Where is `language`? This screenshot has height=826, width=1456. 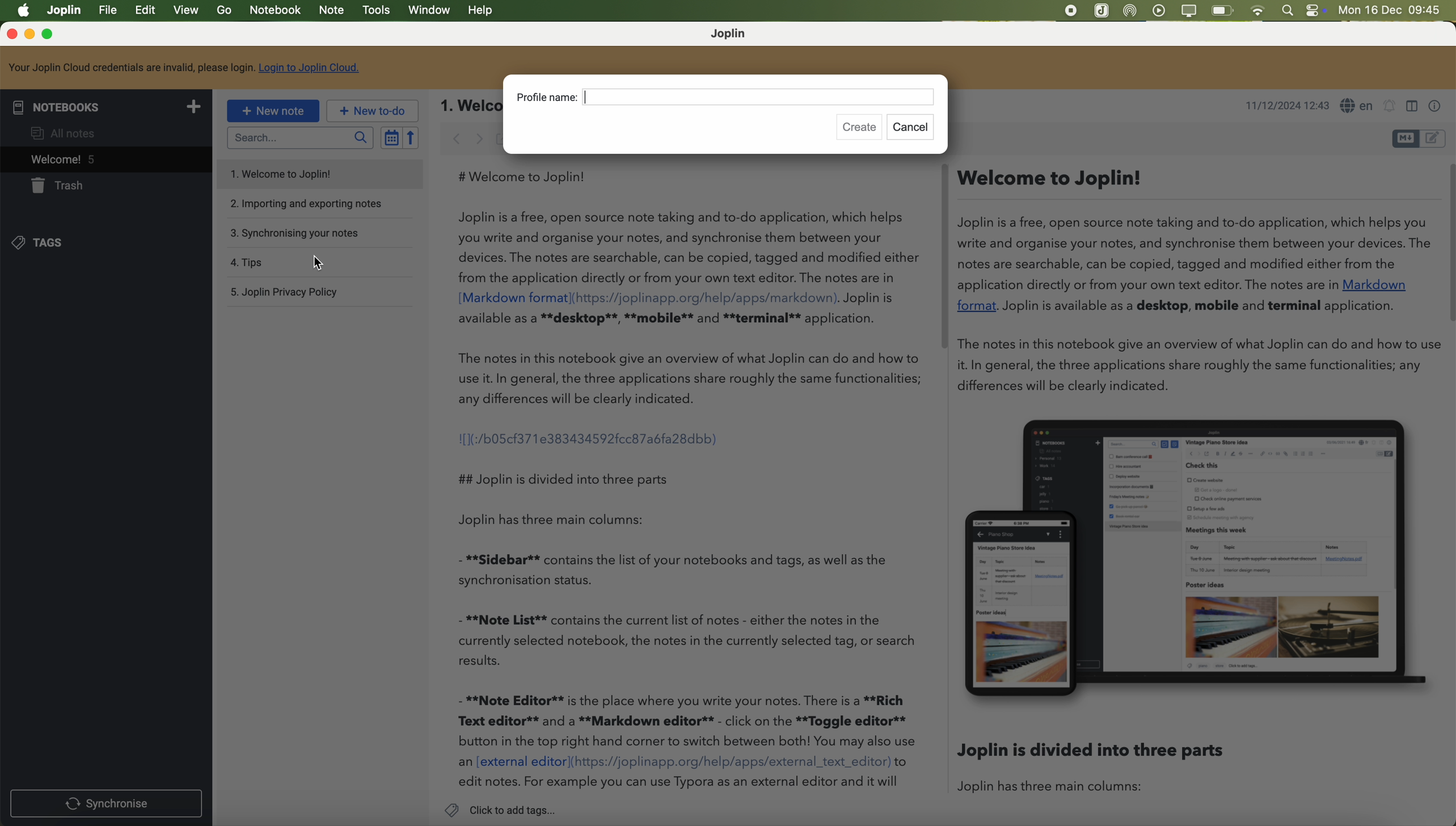
language is located at coordinates (1358, 106).